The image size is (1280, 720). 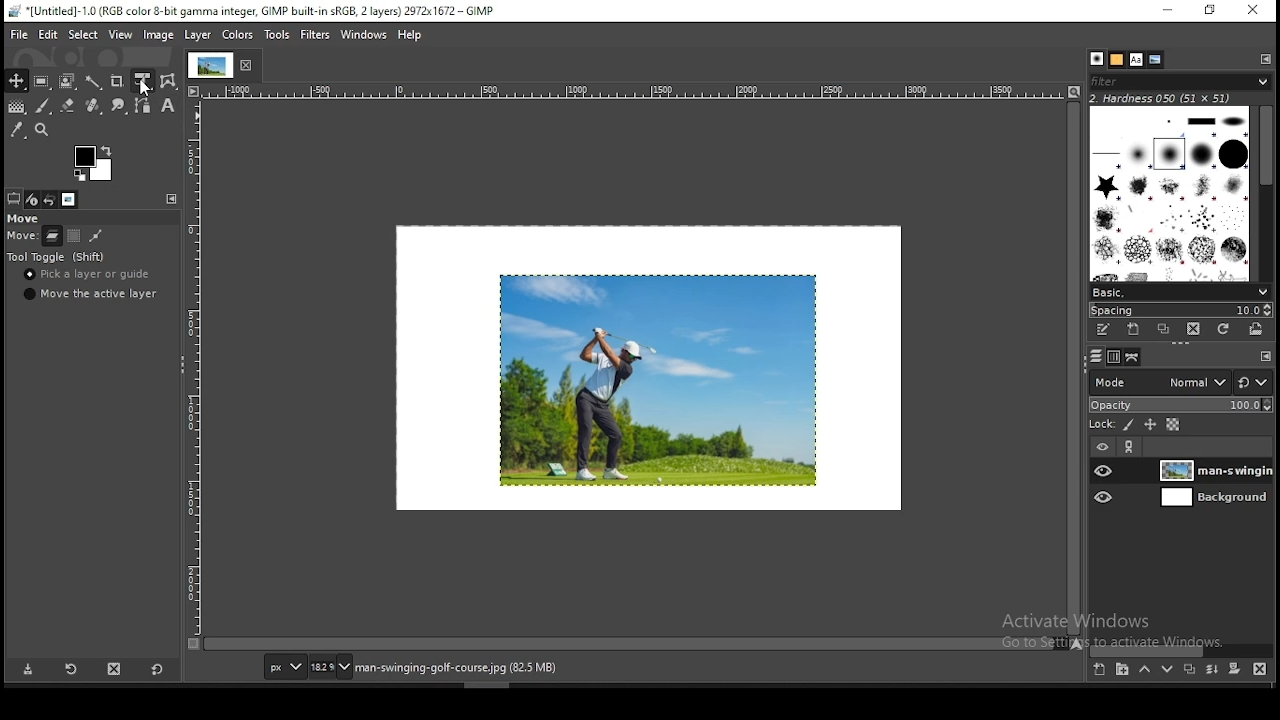 I want to click on move paths, so click(x=95, y=238).